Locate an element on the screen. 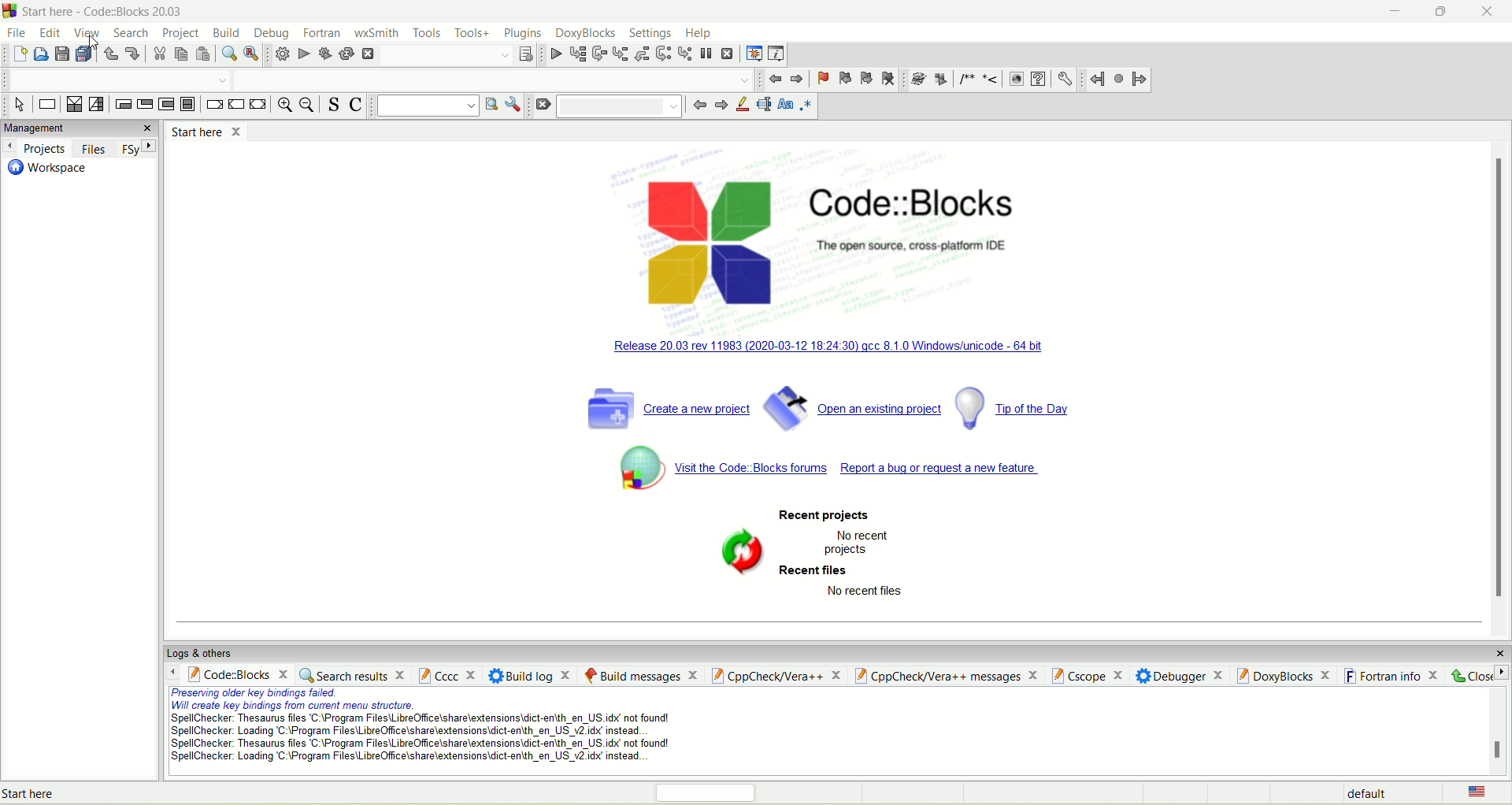  Release 20.03 rev 11983 (2020-03-12 18:24:30) gcc 8.1.0 Windows/unicode - 64 bit is located at coordinates (833, 343).